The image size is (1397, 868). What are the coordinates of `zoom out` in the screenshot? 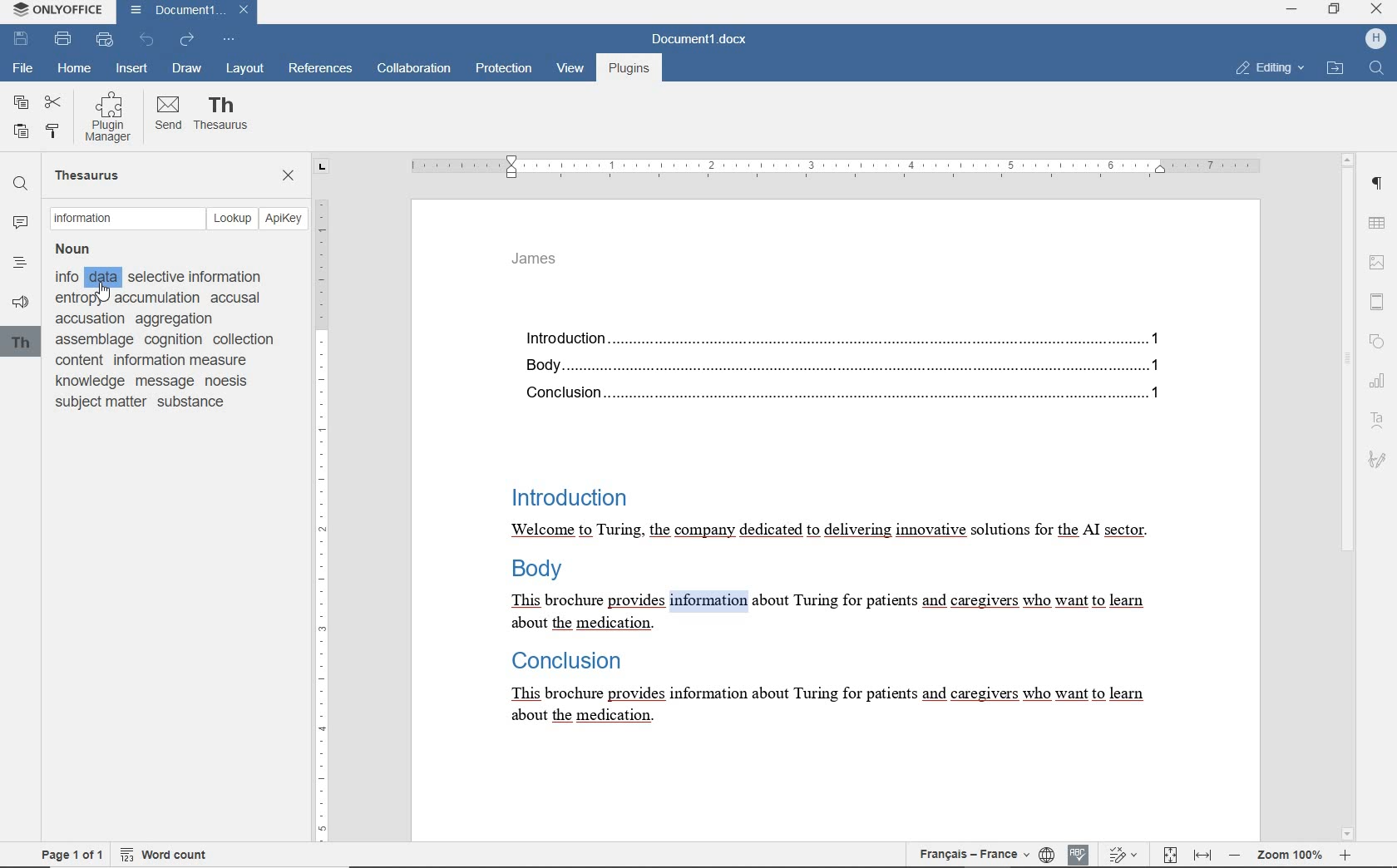 It's located at (1236, 856).